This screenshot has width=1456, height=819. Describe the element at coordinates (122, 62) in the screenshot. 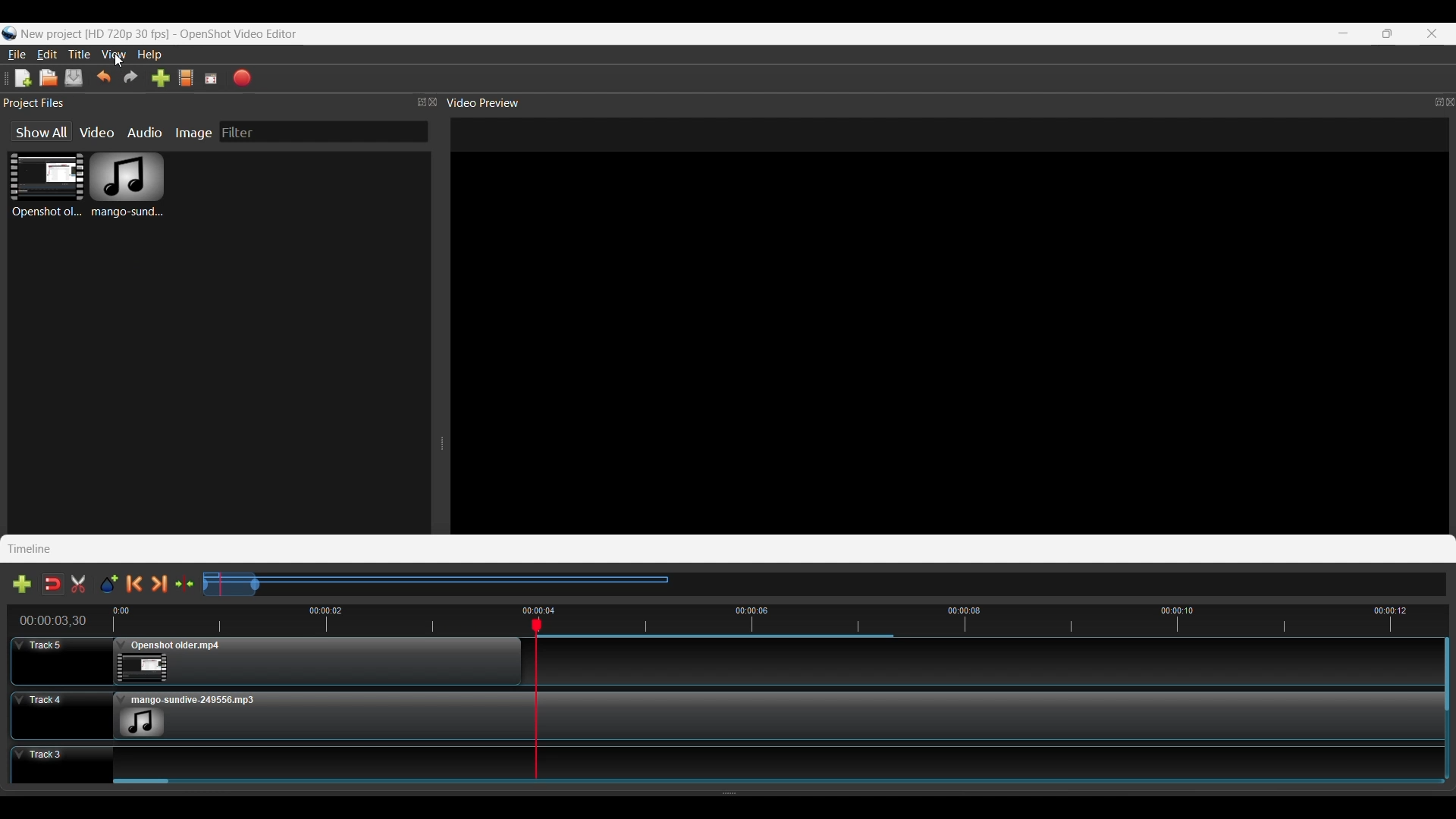

I see `Cursor` at that location.